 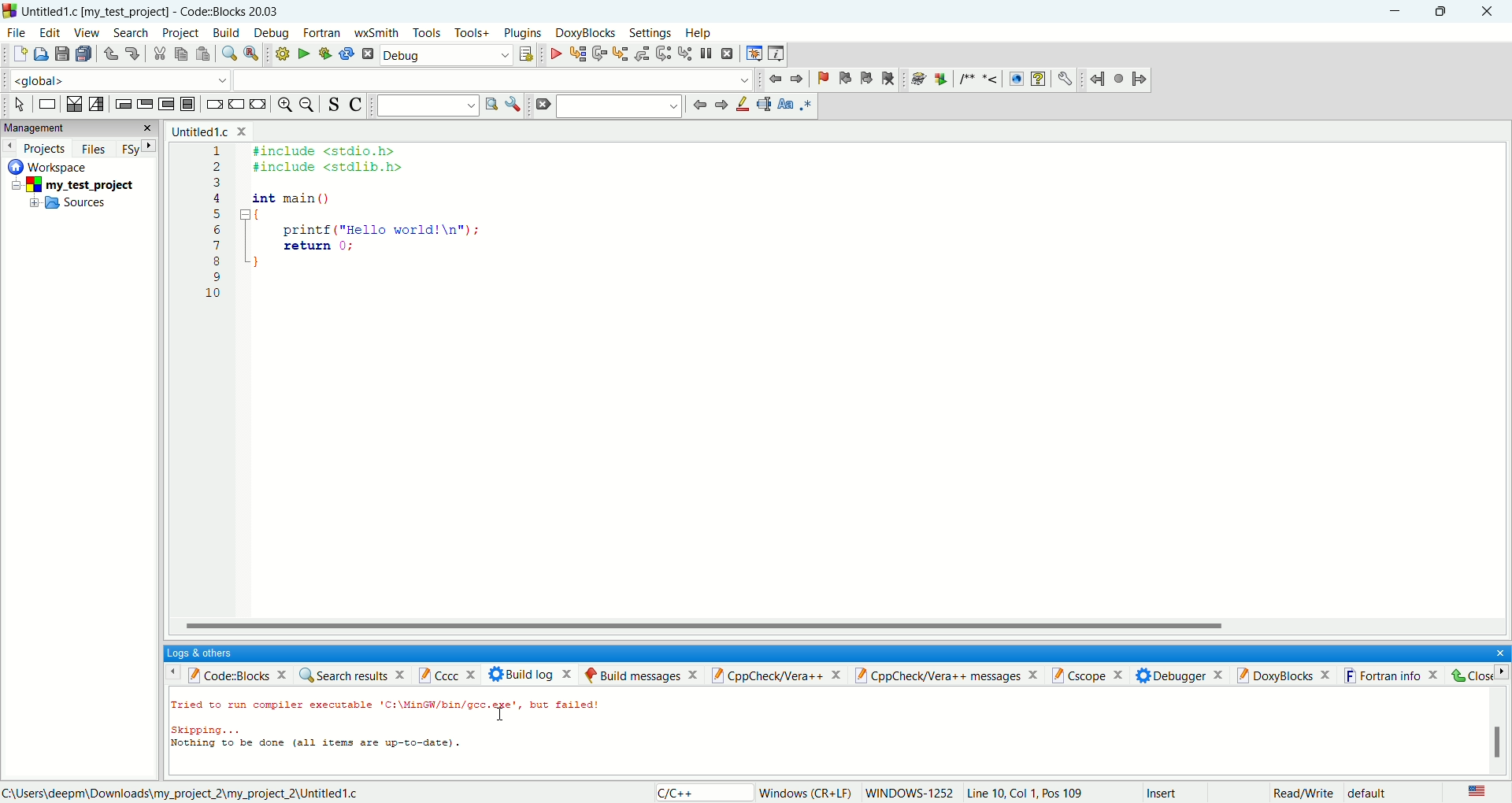 What do you see at coordinates (136, 148) in the screenshot?
I see `FSy` at bounding box center [136, 148].